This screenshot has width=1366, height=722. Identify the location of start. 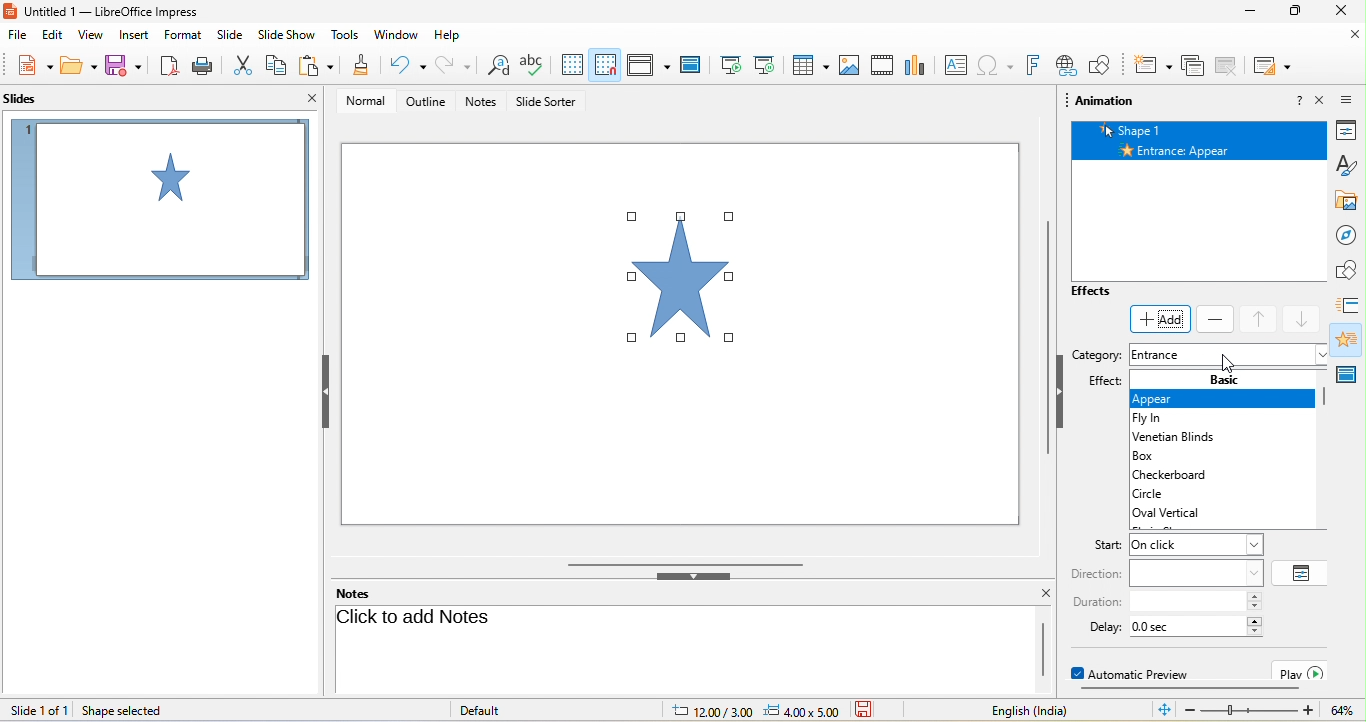
(1098, 546).